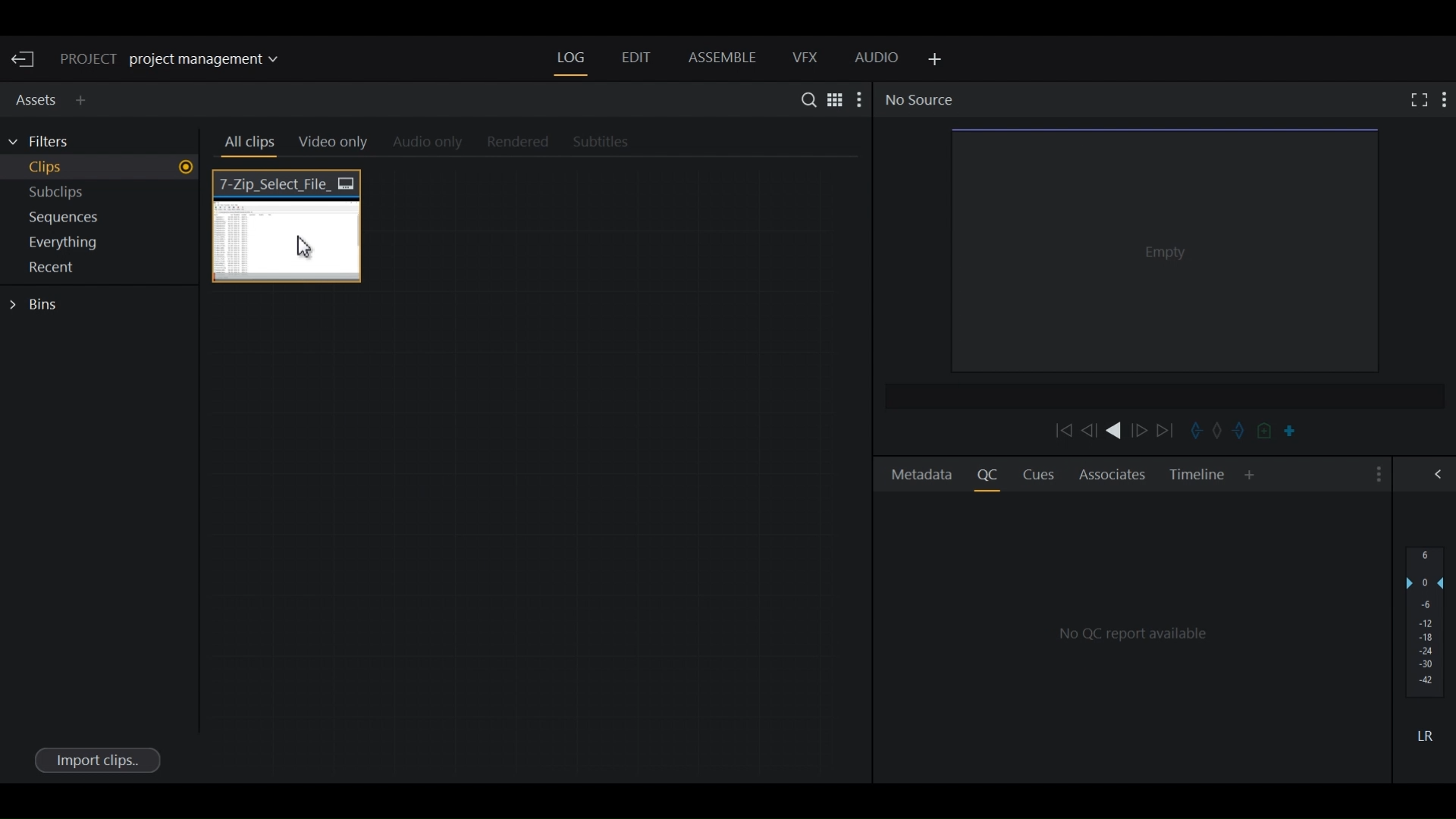  Describe the element at coordinates (833, 99) in the screenshot. I see `Toggle between list and Tile View` at that location.